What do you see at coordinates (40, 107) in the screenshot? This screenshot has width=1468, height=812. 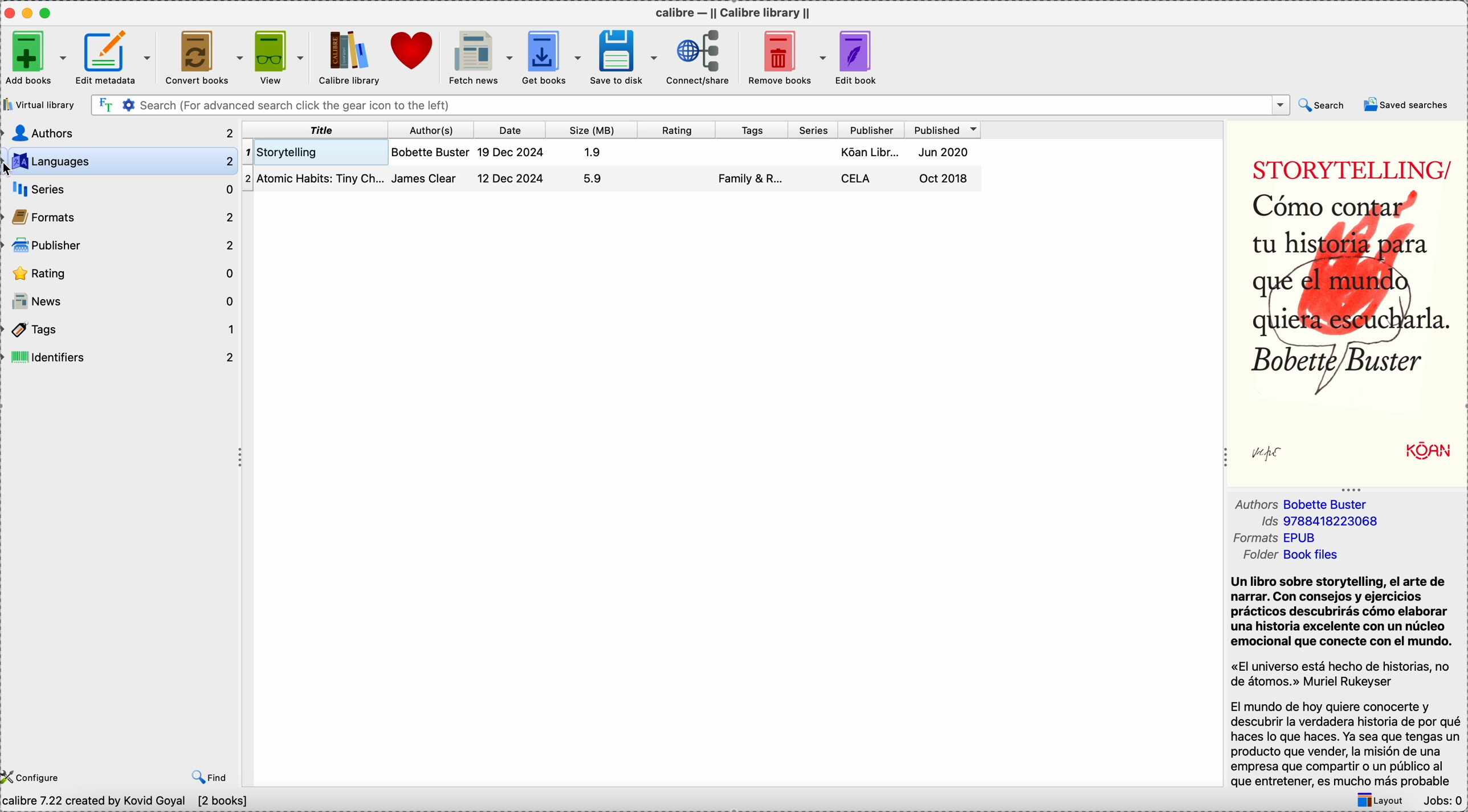 I see `virtual library` at bounding box center [40, 107].